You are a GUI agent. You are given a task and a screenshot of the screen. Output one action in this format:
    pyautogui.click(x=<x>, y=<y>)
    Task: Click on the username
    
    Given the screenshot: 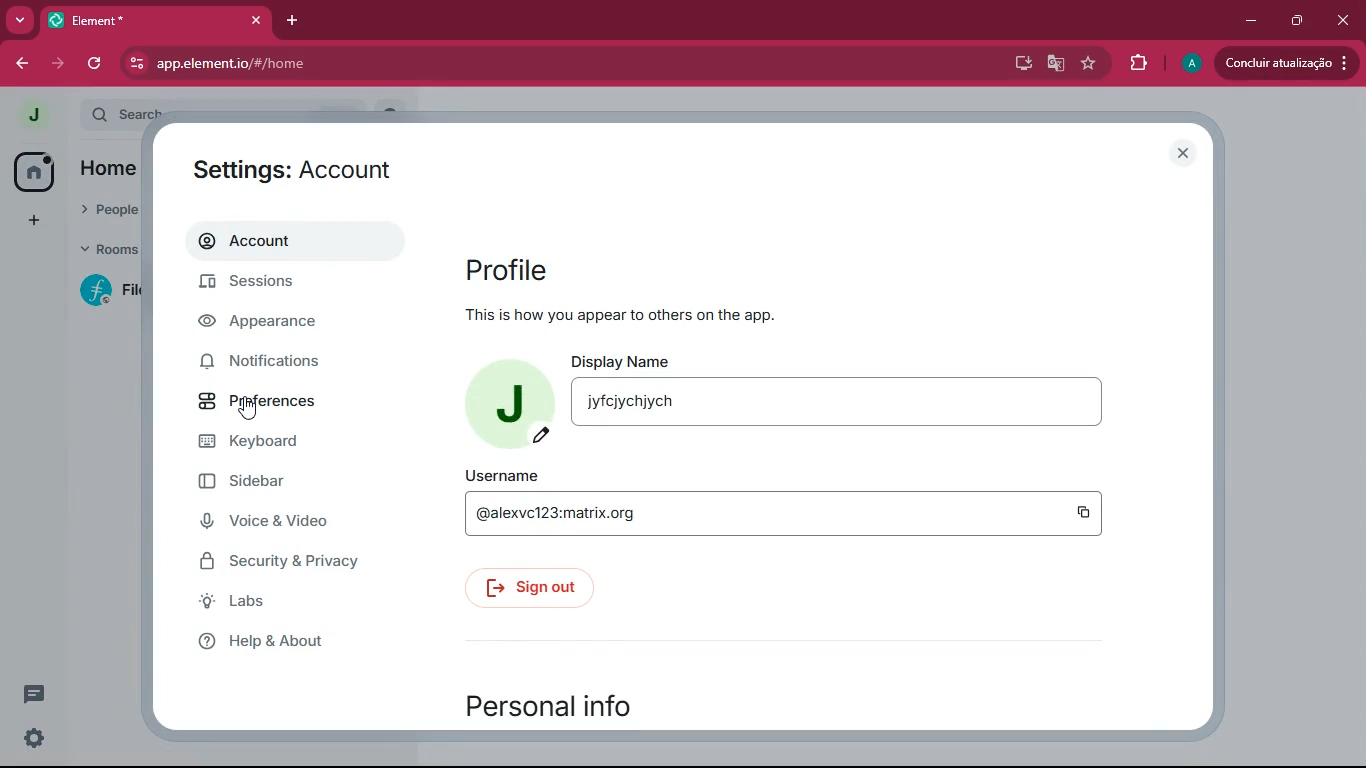 What is the action you would take?
    pyautogui.click(x=500, y=476)
    